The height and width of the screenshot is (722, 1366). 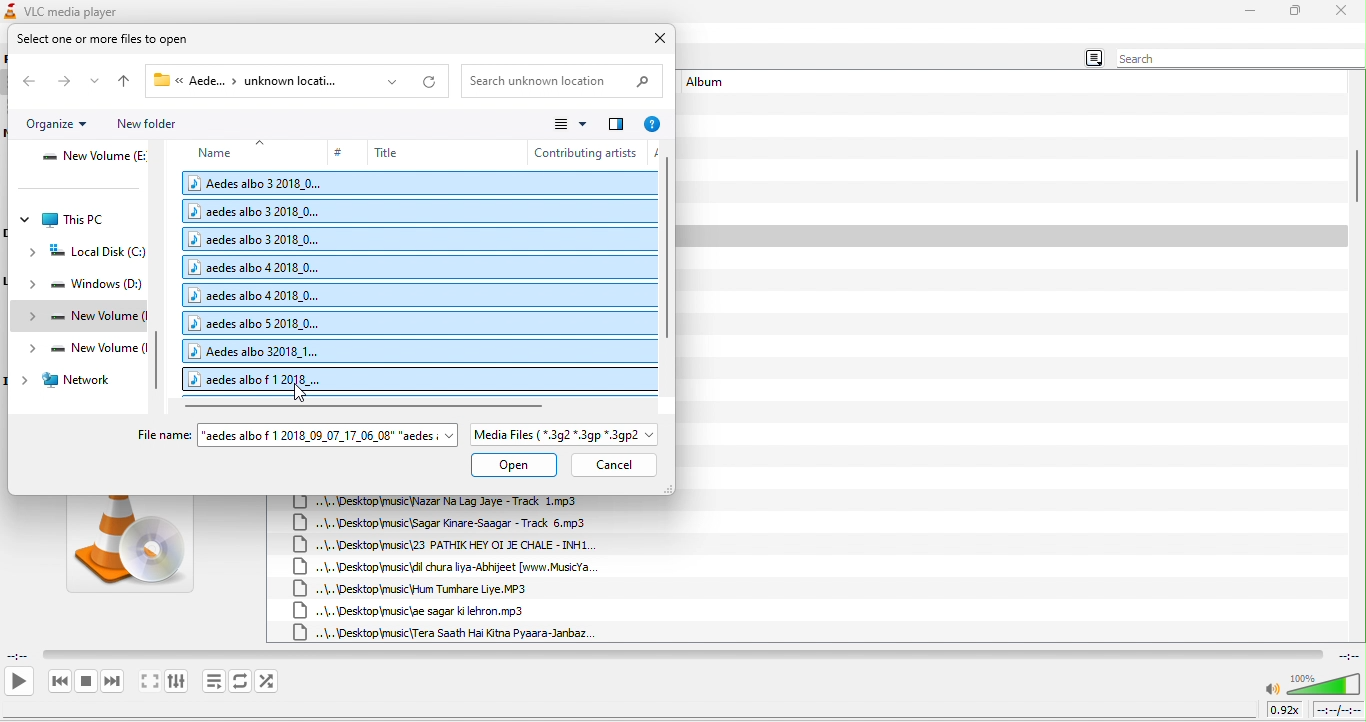 What do you see at coordinates (164, 434) in the screenshot?
I see `File name:` at bounding box center [164, 434].